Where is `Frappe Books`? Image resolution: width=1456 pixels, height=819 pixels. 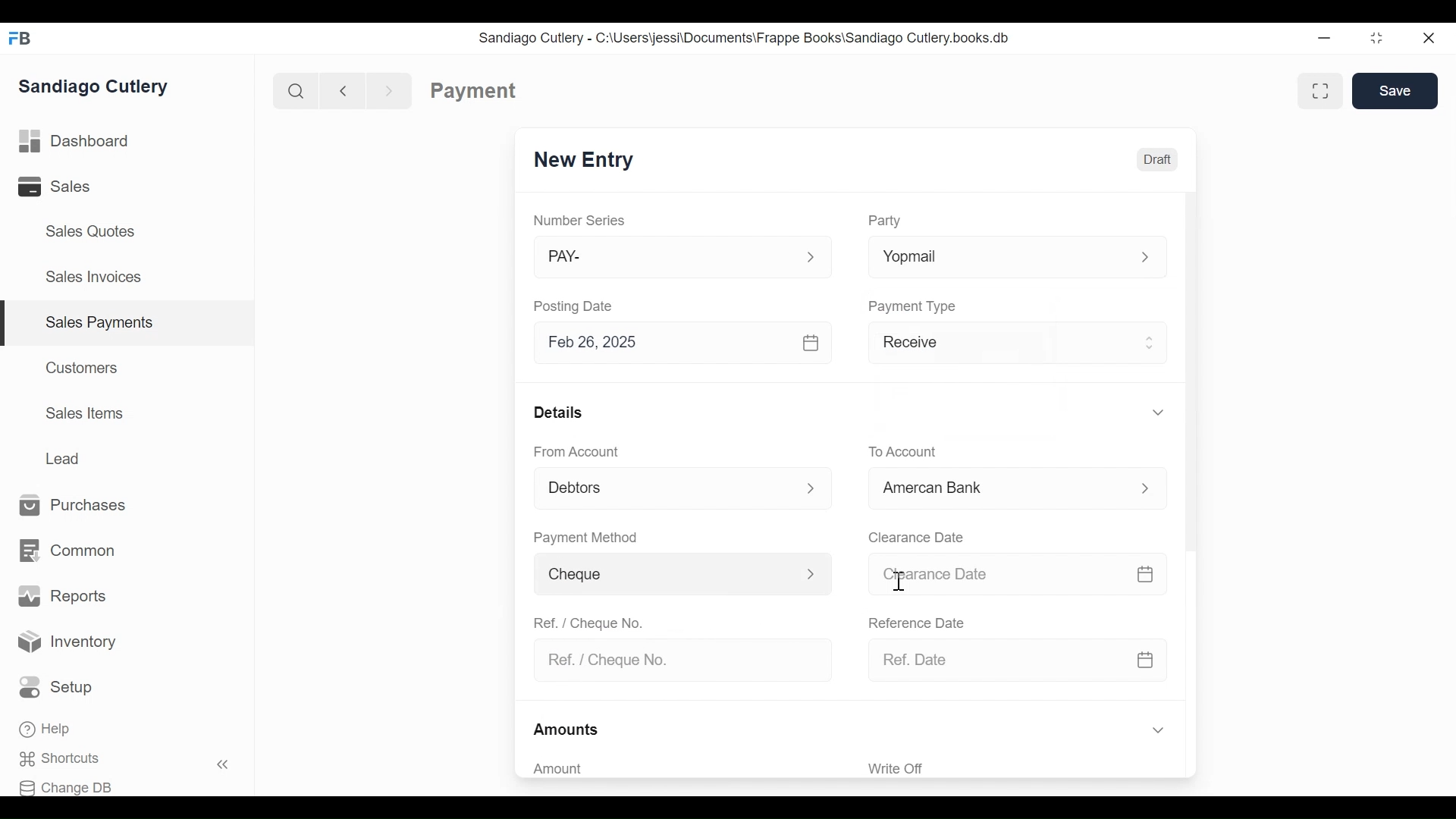 Frappe Books is located at coordinates (21, 38).